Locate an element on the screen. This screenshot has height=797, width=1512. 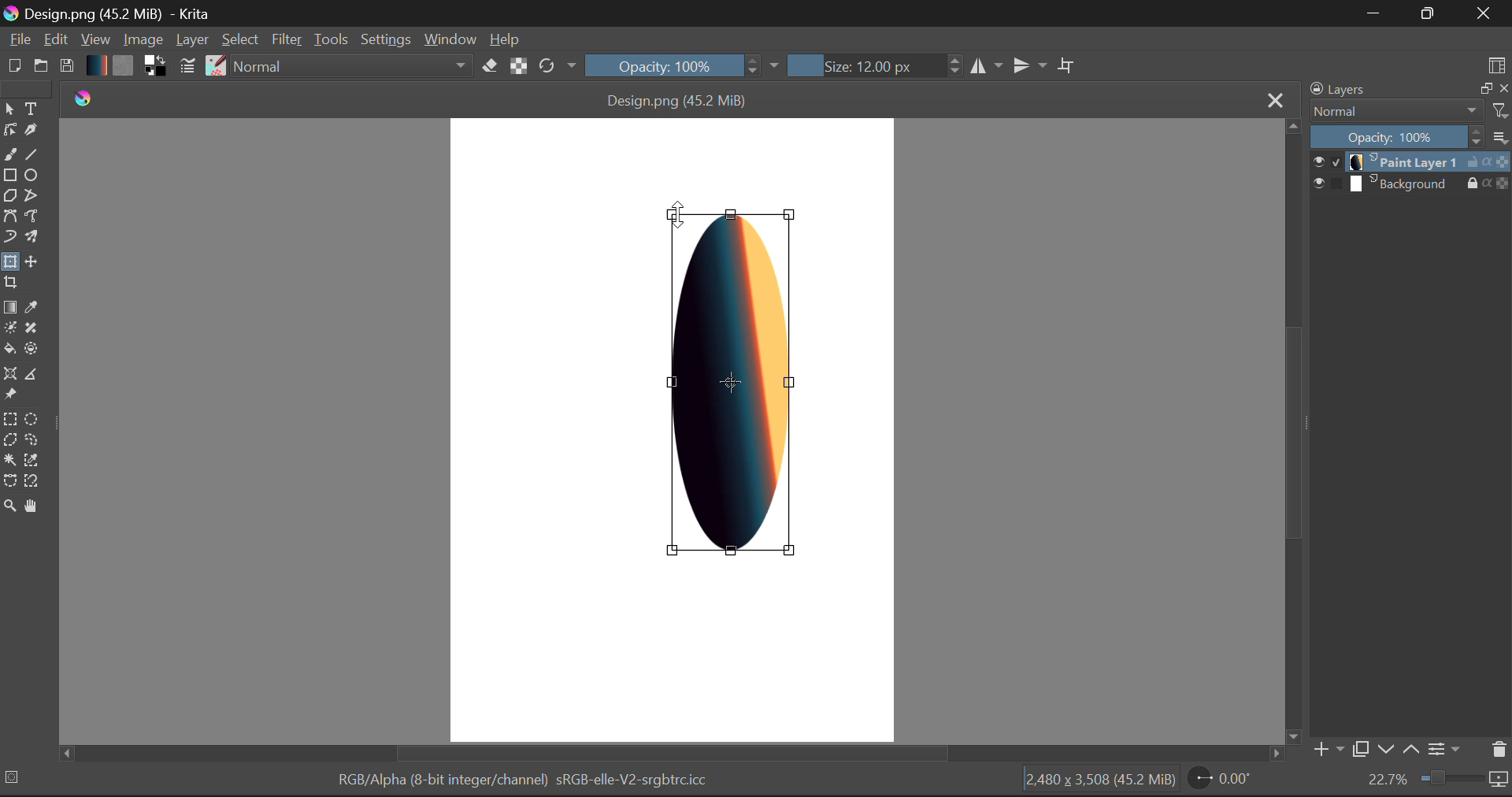
Polygon Selection is located at coordinates (9, 440).